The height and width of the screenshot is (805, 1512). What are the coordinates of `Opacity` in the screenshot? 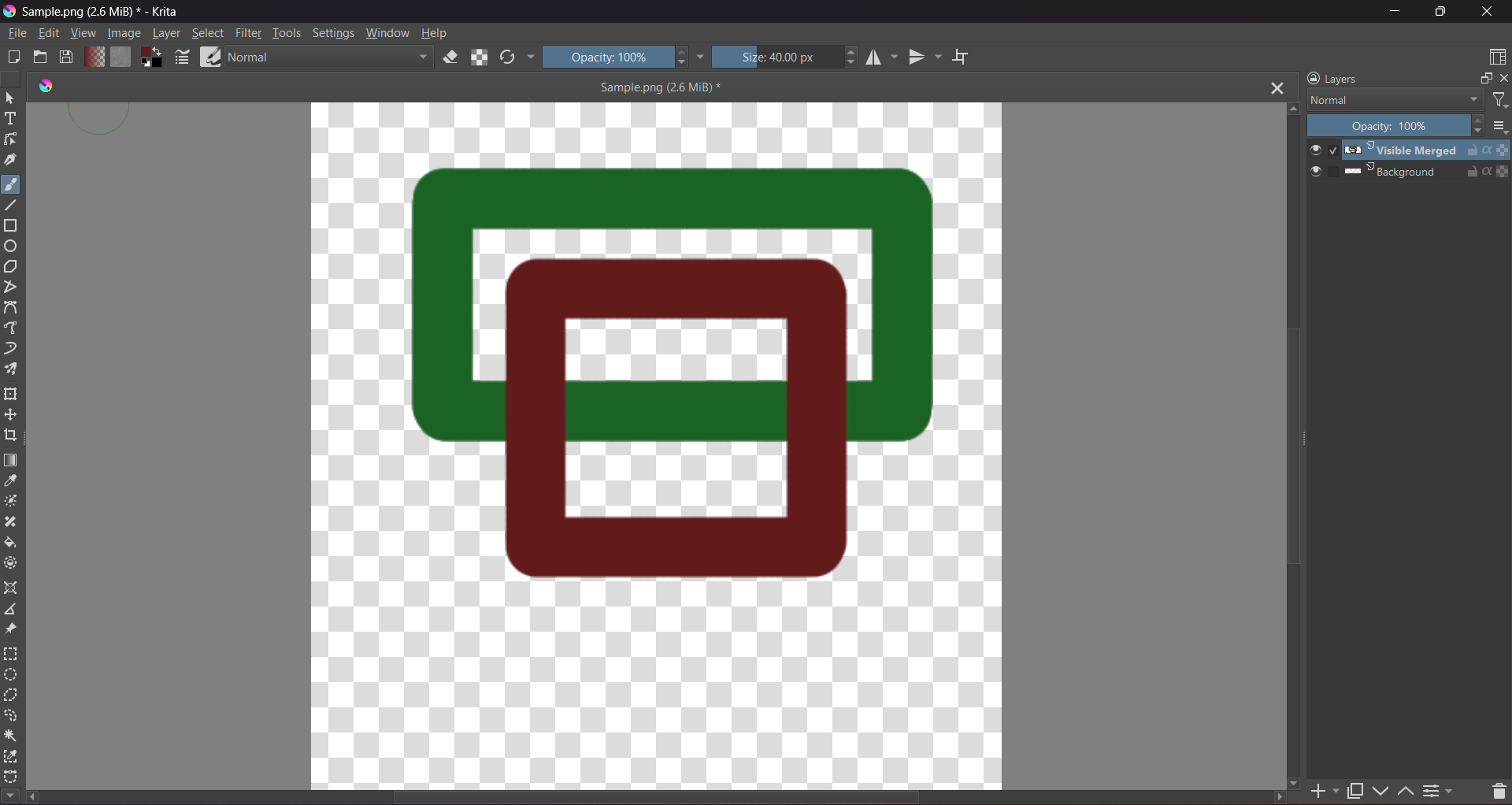 It's located at (1397, 127).